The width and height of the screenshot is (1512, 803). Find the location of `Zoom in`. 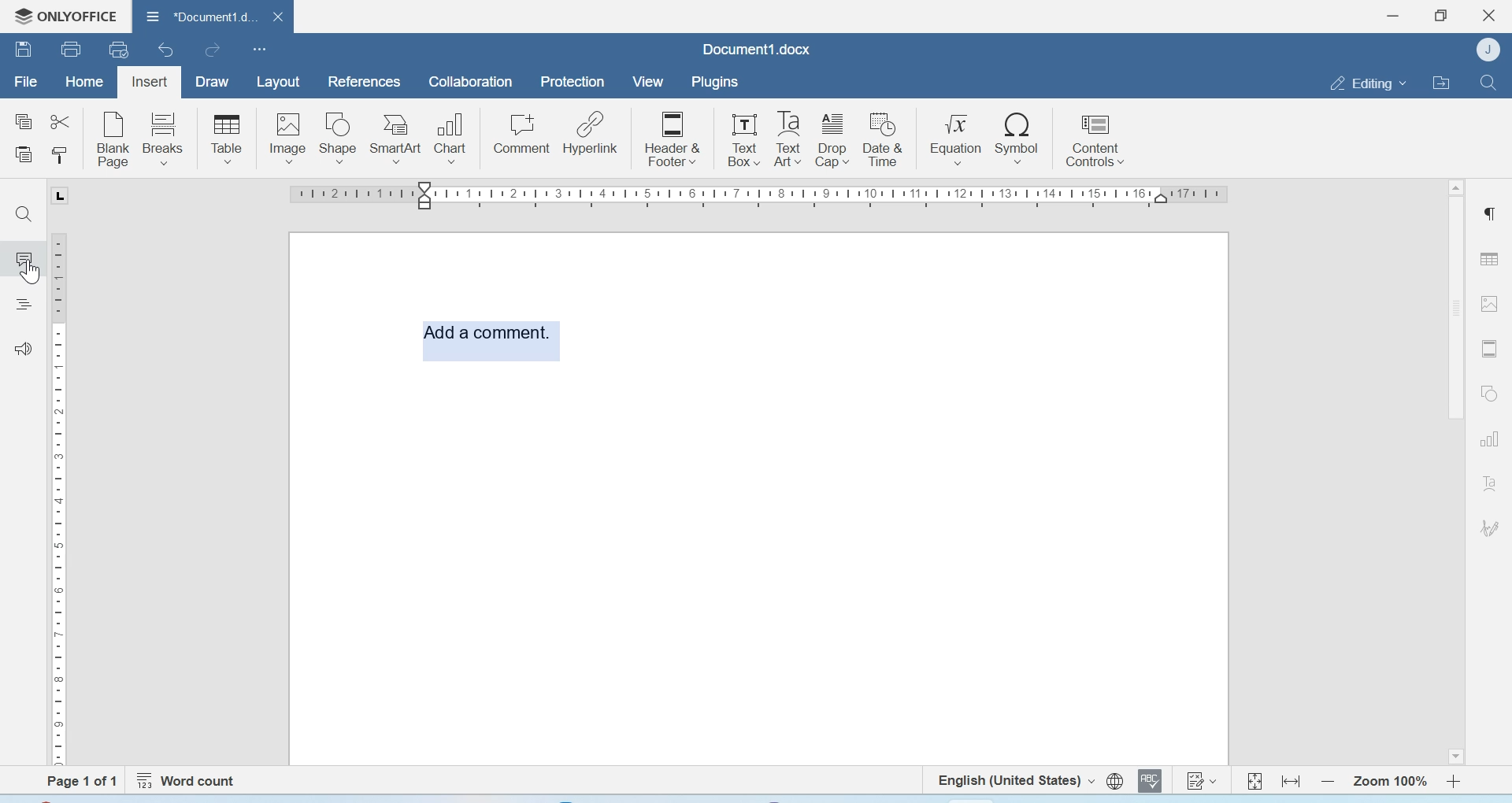

Zoom in is located at coordinates (1455, 781).